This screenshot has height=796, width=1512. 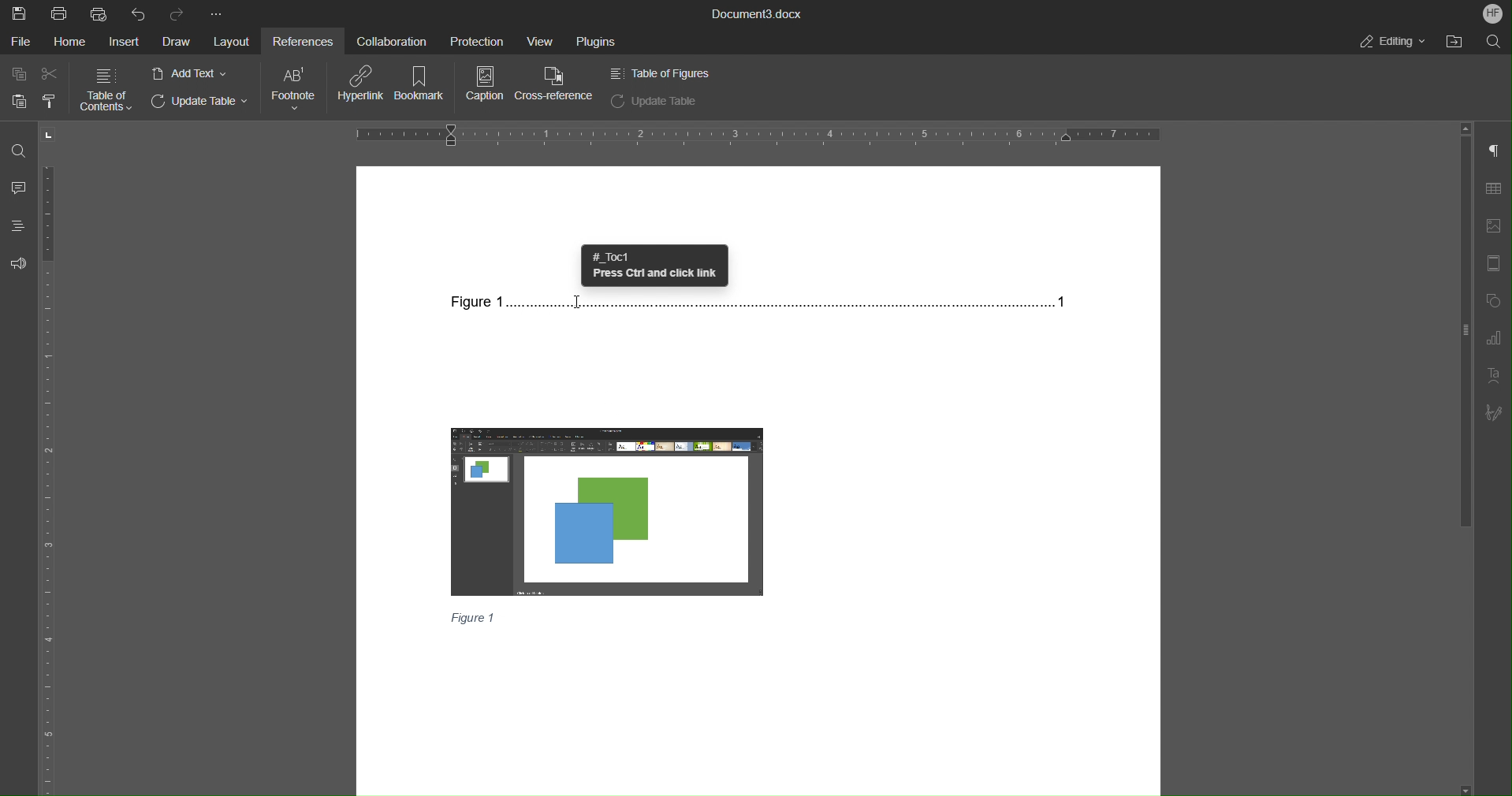 What do you see at coordinates (423, 85) in the screenshot?
I see `Bookmark` at bounding box center [423, 85].